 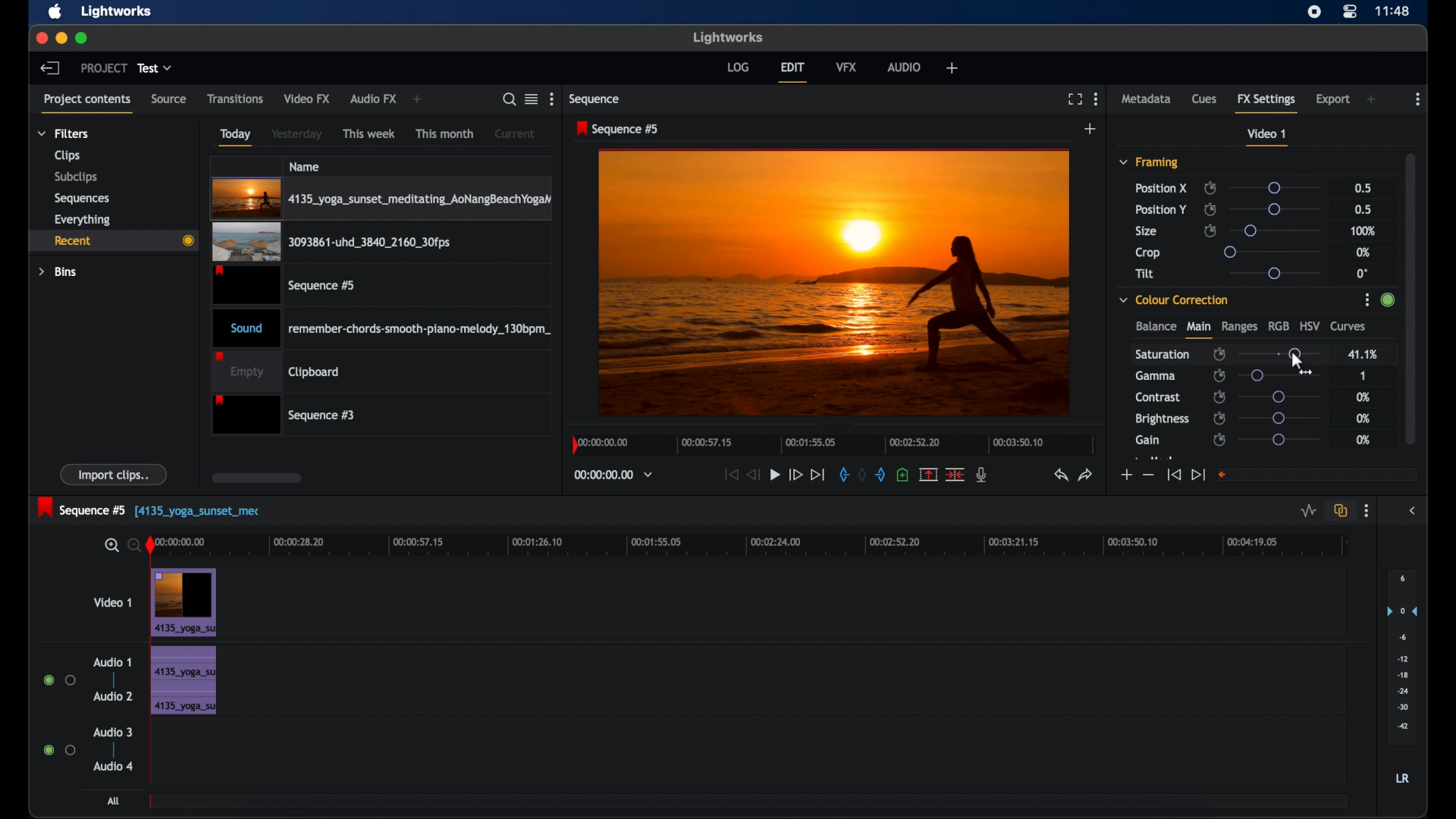 I want to click on apple icon, so click(x=56, y=12).